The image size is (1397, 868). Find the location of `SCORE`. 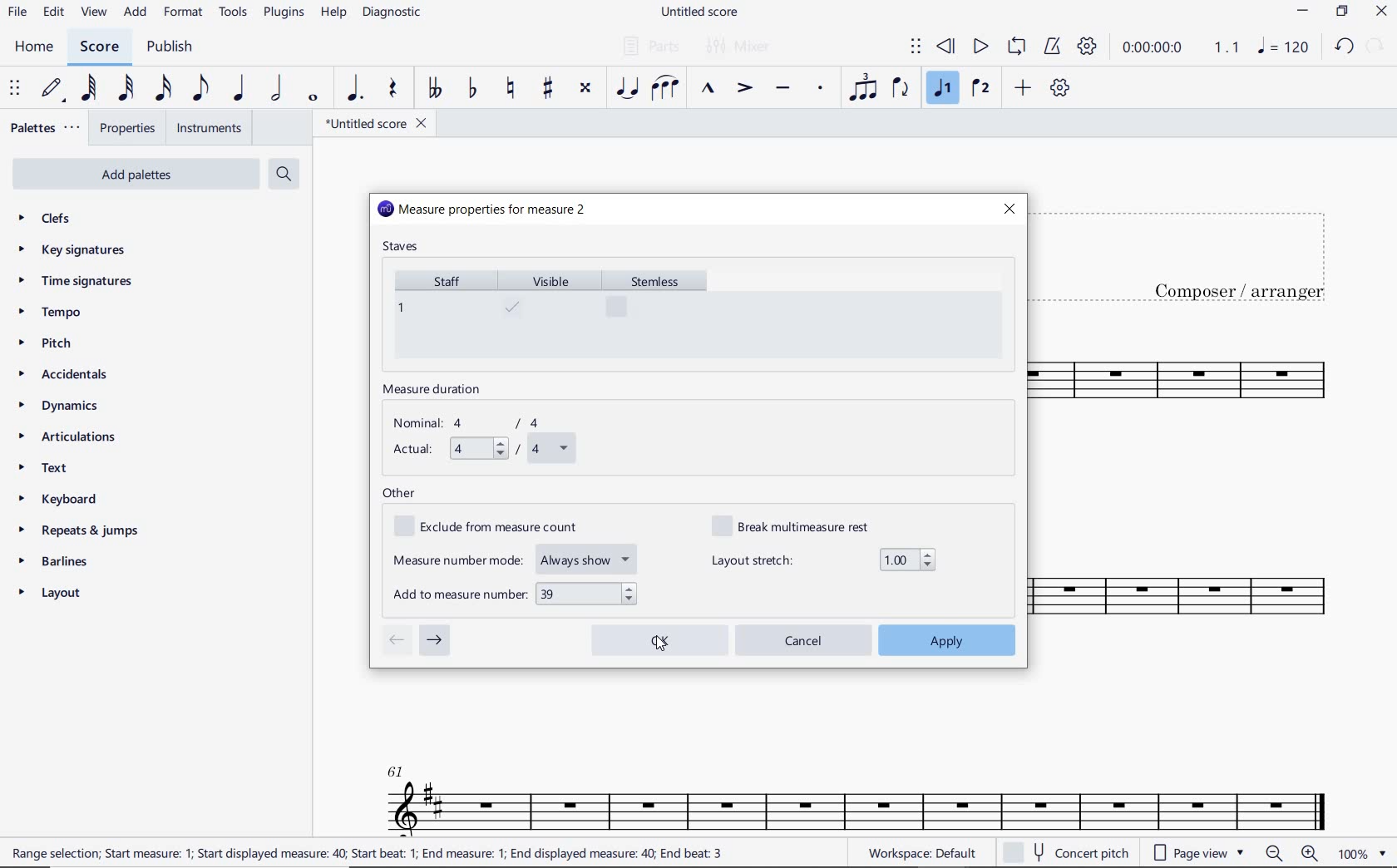

SCORE is located at coordinates (99, 47).